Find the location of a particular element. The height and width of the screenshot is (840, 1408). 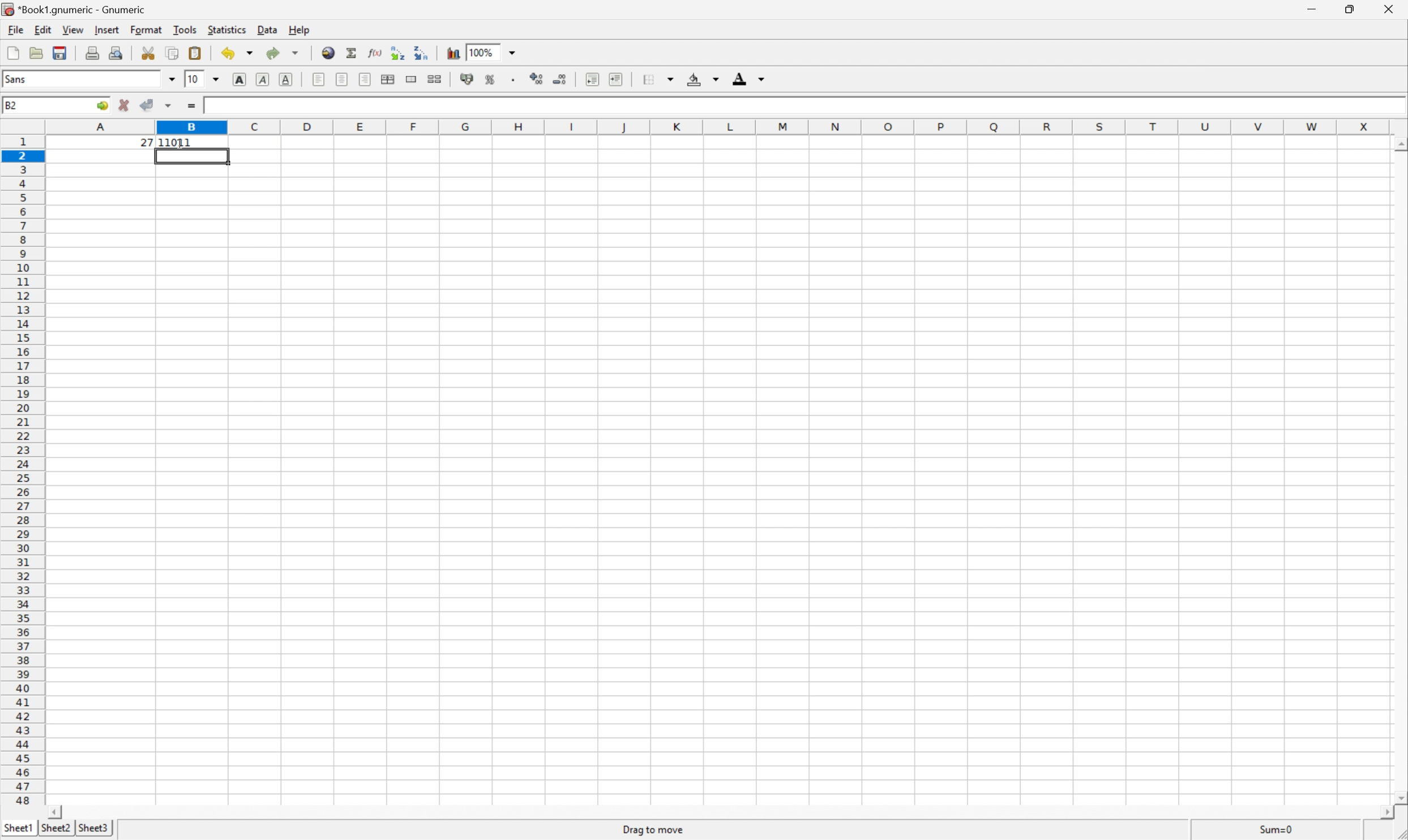

Insert a chart is located at coordinates (452, 52).